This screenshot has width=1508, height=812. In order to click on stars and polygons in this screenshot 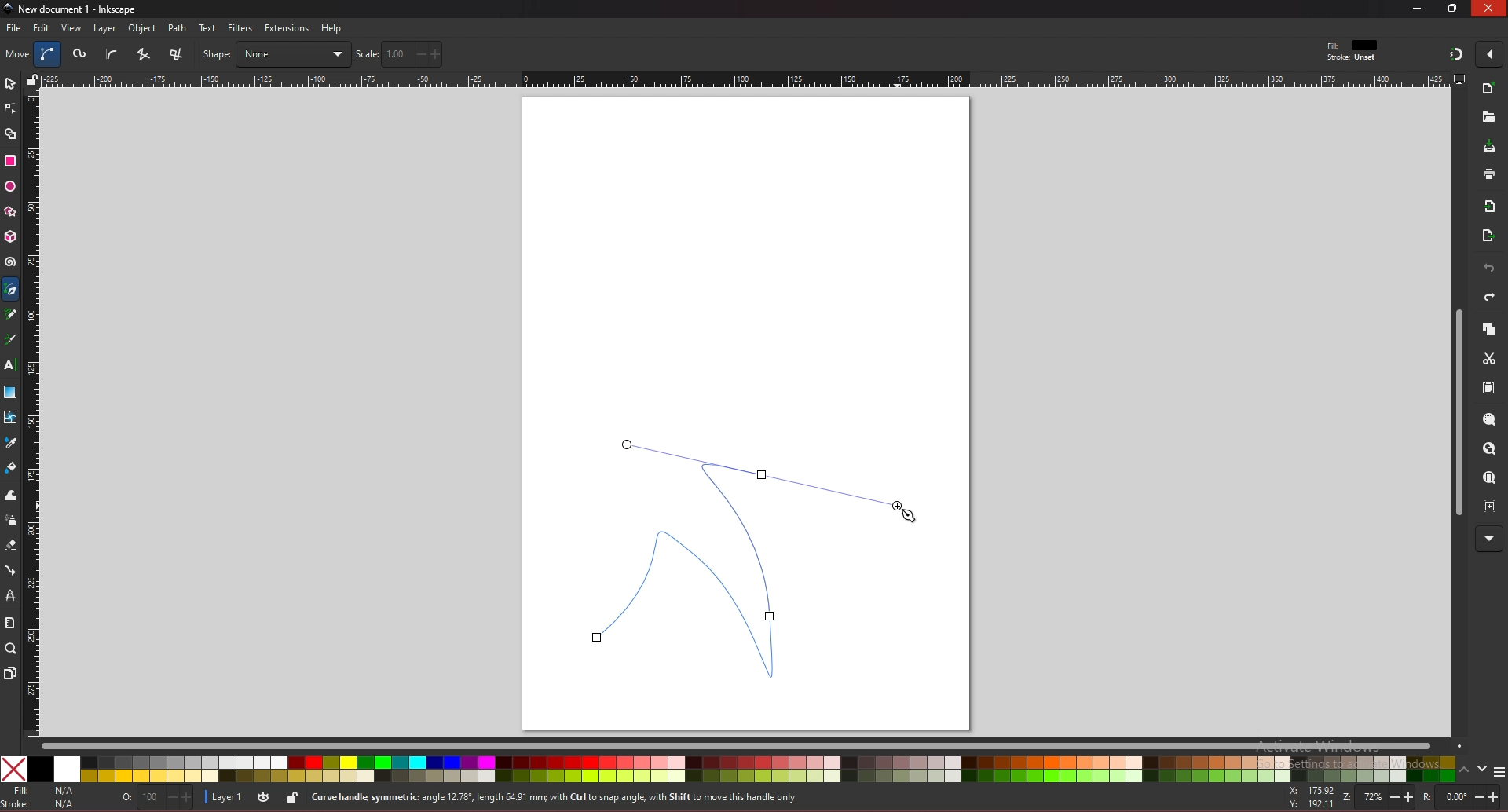, I will do `click(11, 212)`.